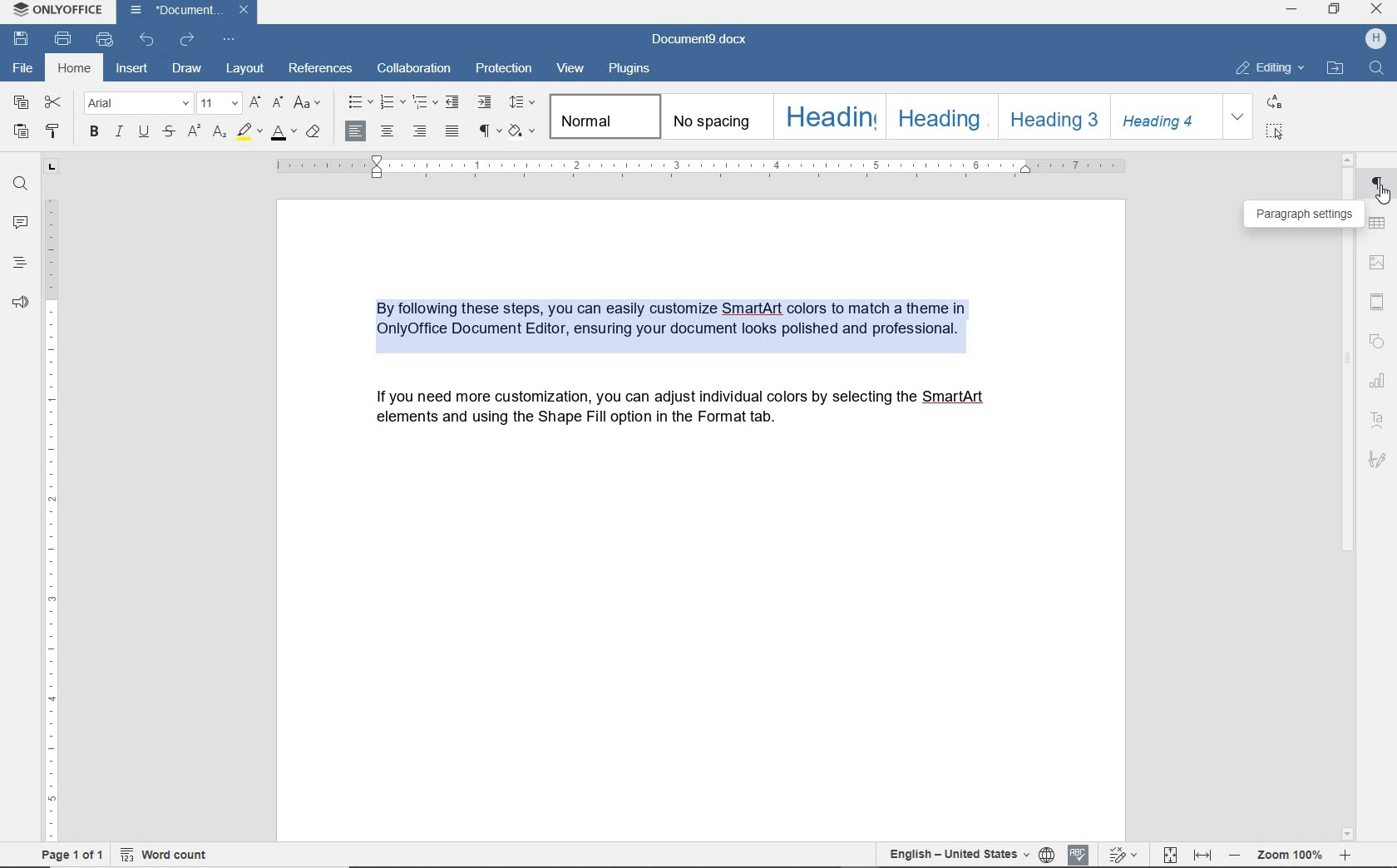 Image resolution: width=1397 pixels, height=868 pixels. Describe the element at coordinates (505, 70) in the screenshot. I see `protection` at that location.